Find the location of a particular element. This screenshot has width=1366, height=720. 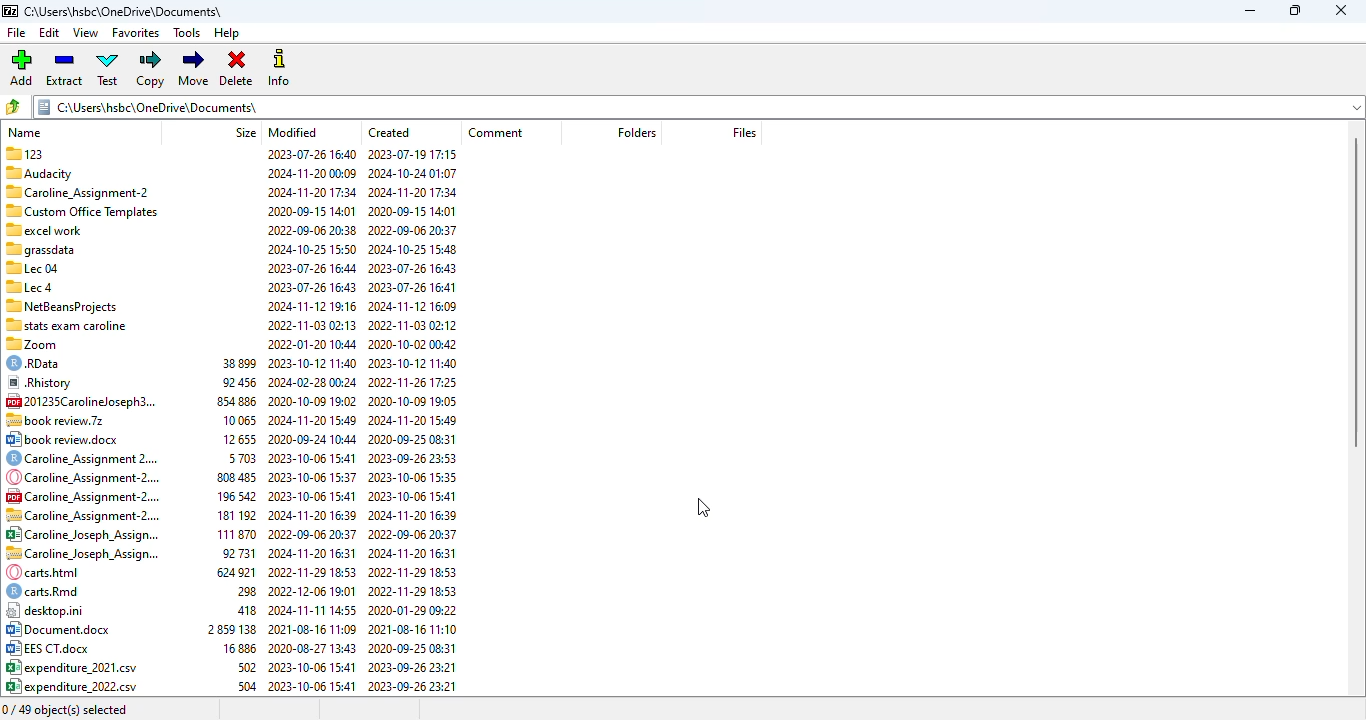

expenditure 2022.csv 504 2023-10-06 15:41 2023-09-26 23:21 is located at coordinates (232, 667).